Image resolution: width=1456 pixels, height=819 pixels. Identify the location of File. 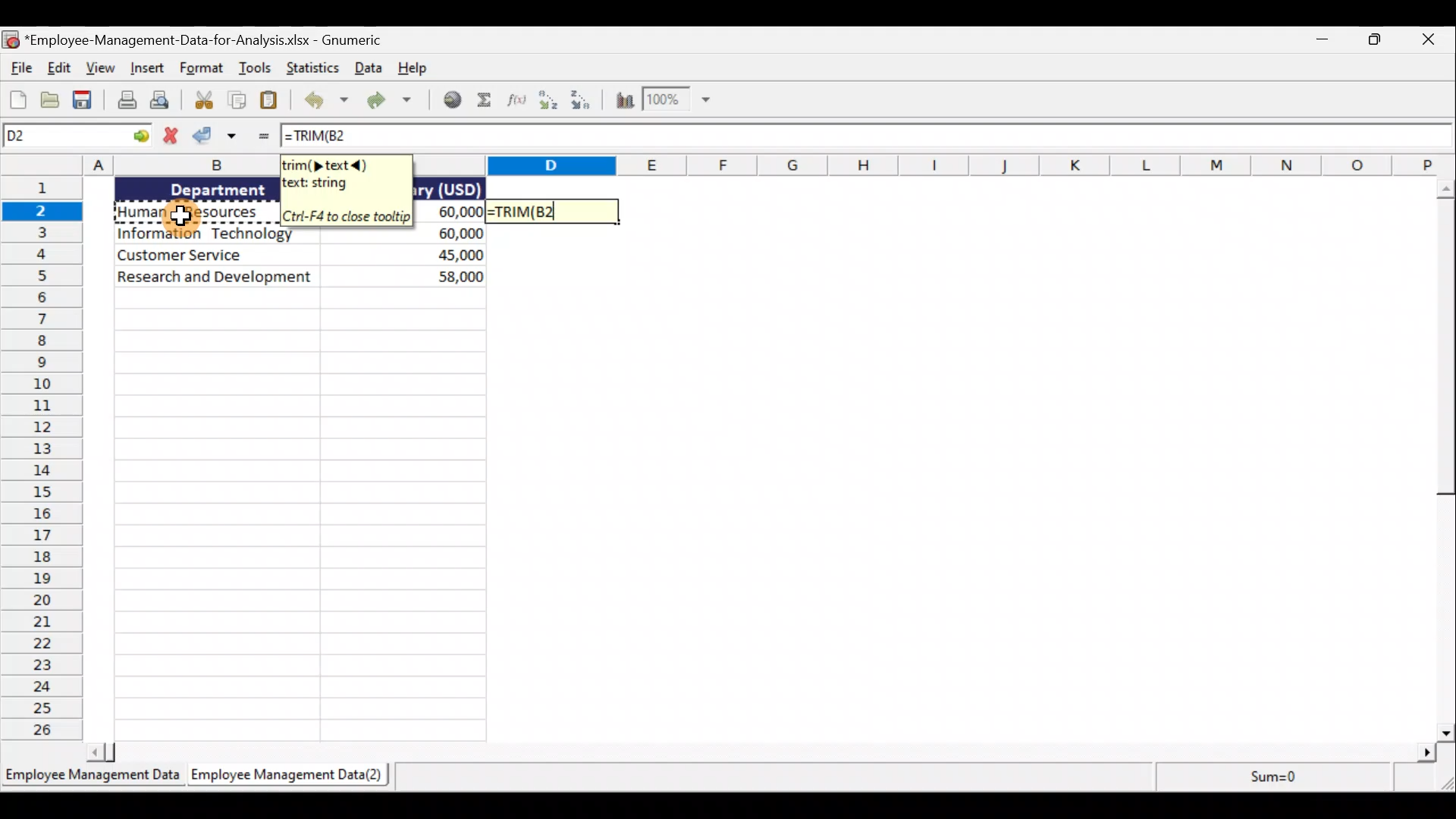
(18, 68).